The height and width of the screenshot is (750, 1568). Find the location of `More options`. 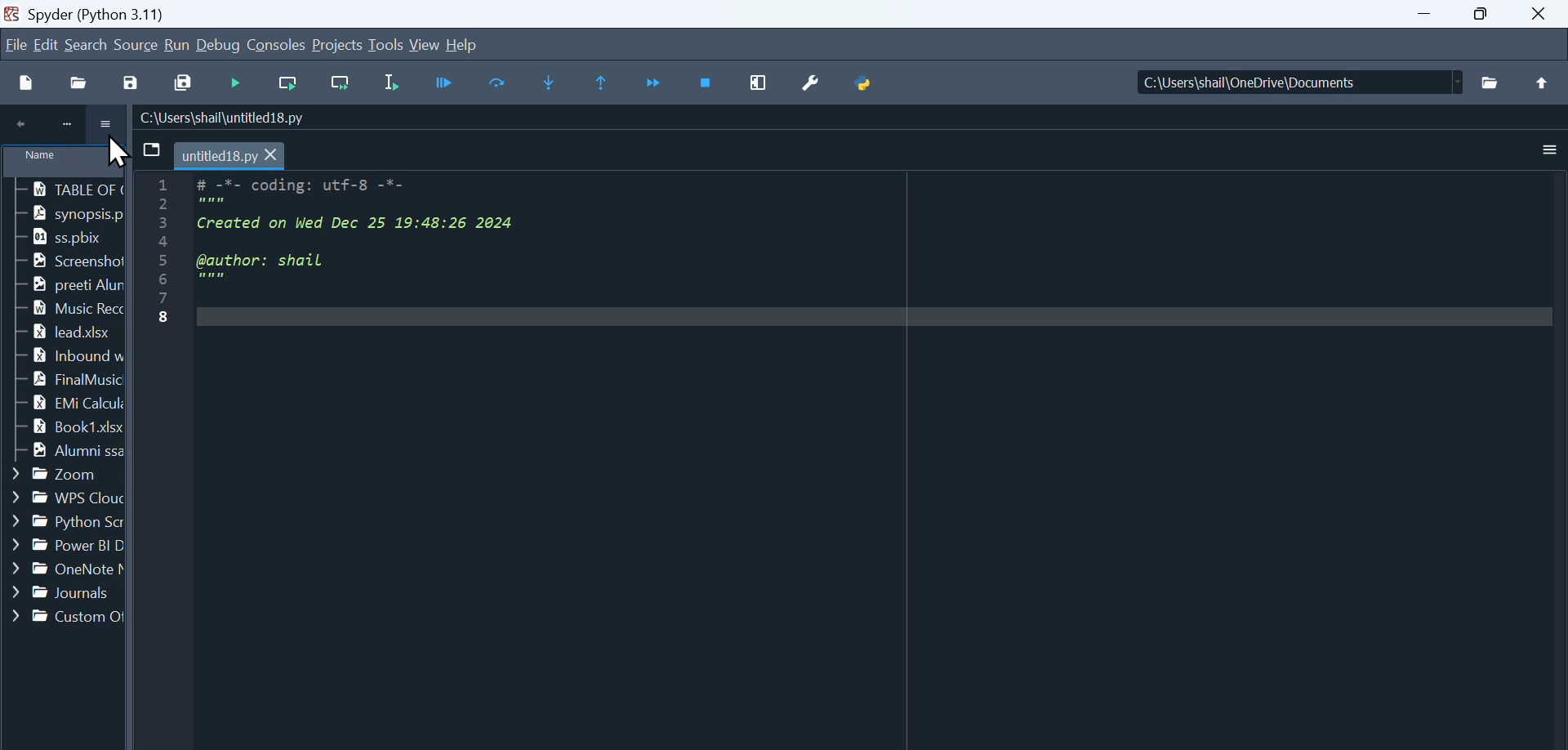

More options is located at coordinates (1550, 150).